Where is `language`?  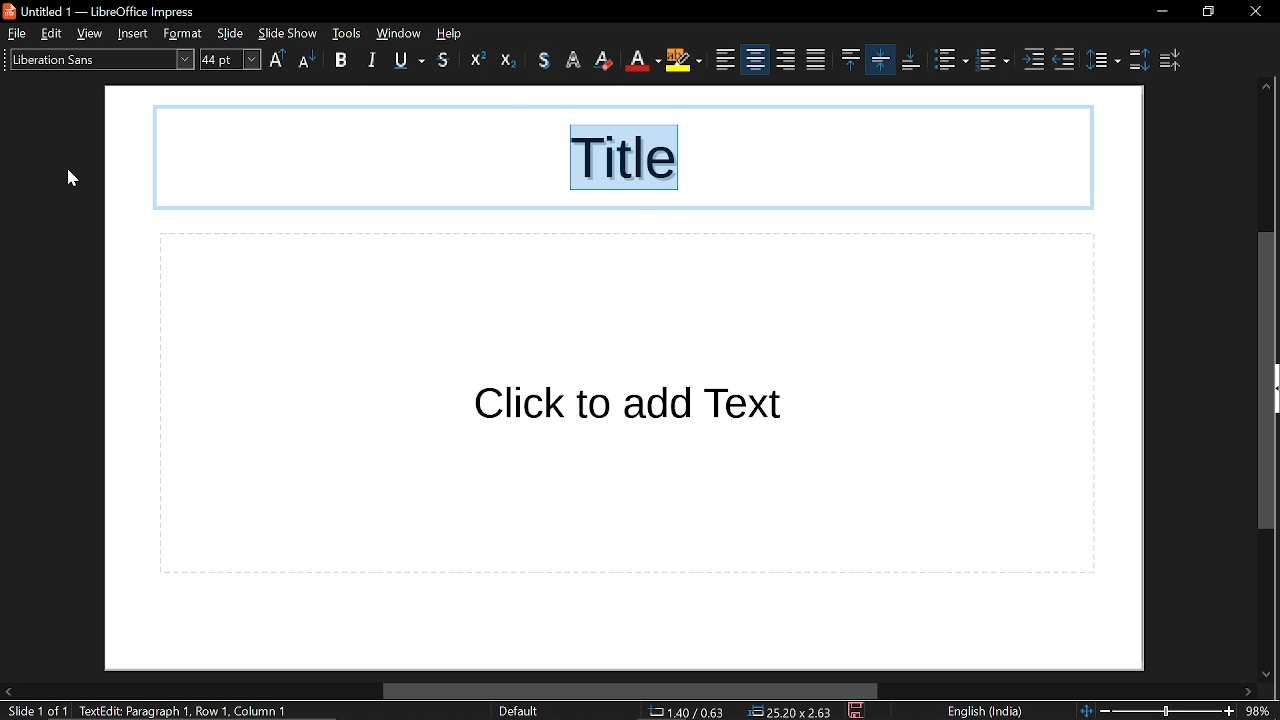 language is located at coordinates (983, 712).